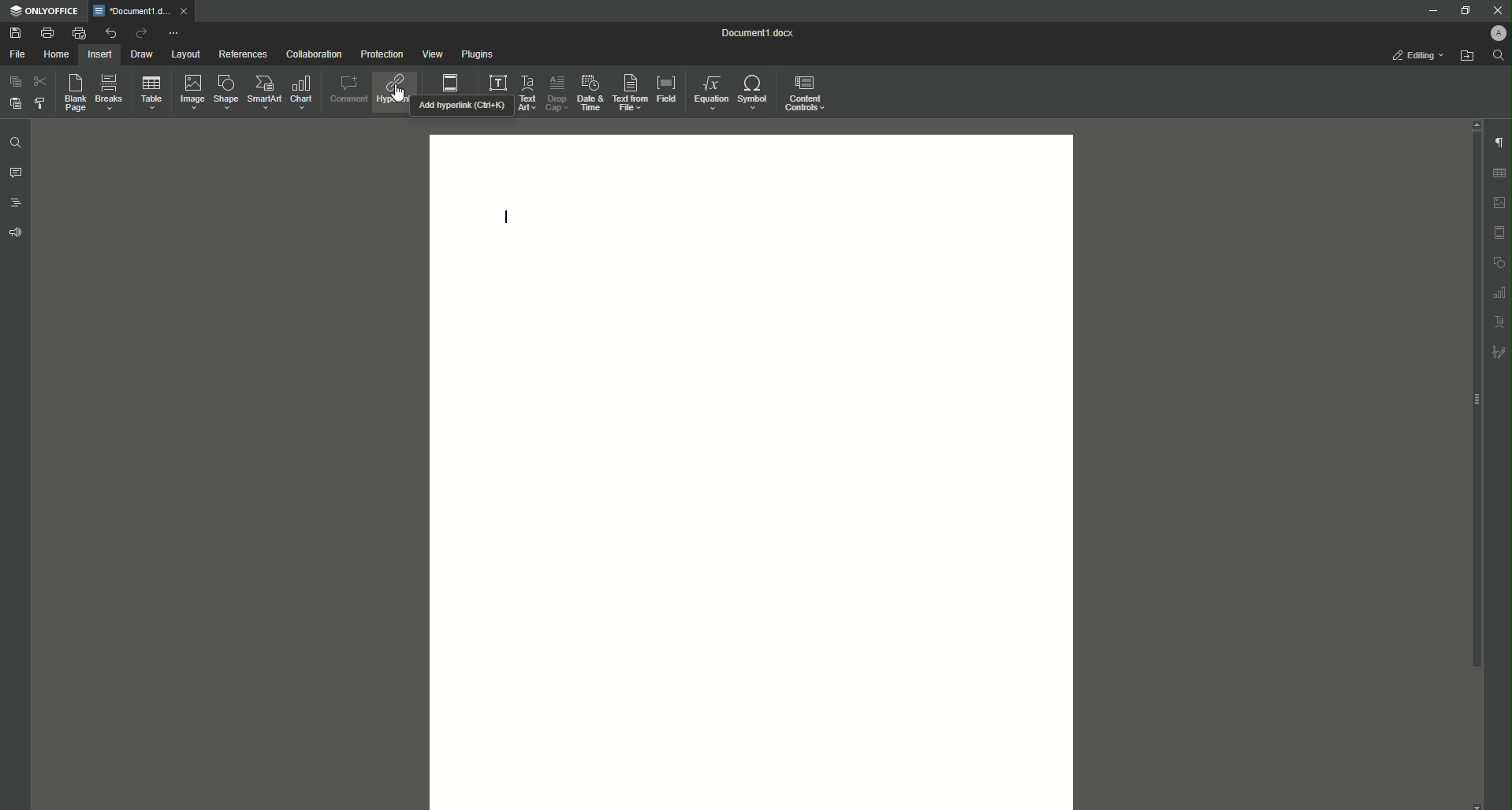  I want to click on Restore, so click(1463, 12).